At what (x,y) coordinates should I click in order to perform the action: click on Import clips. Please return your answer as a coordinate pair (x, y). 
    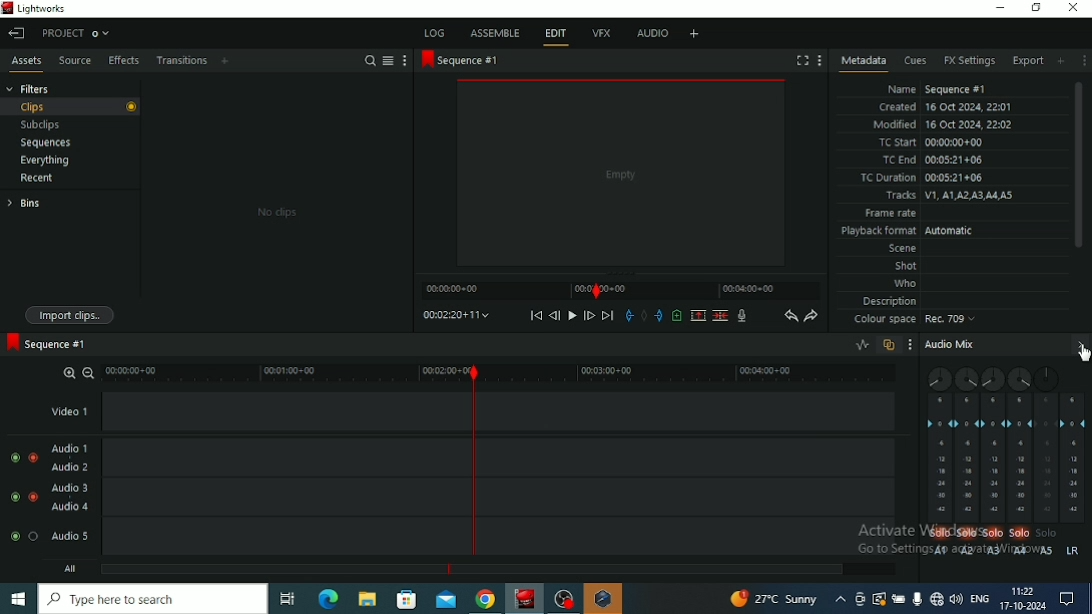
    Looking at the image, I should click on (71, 316).